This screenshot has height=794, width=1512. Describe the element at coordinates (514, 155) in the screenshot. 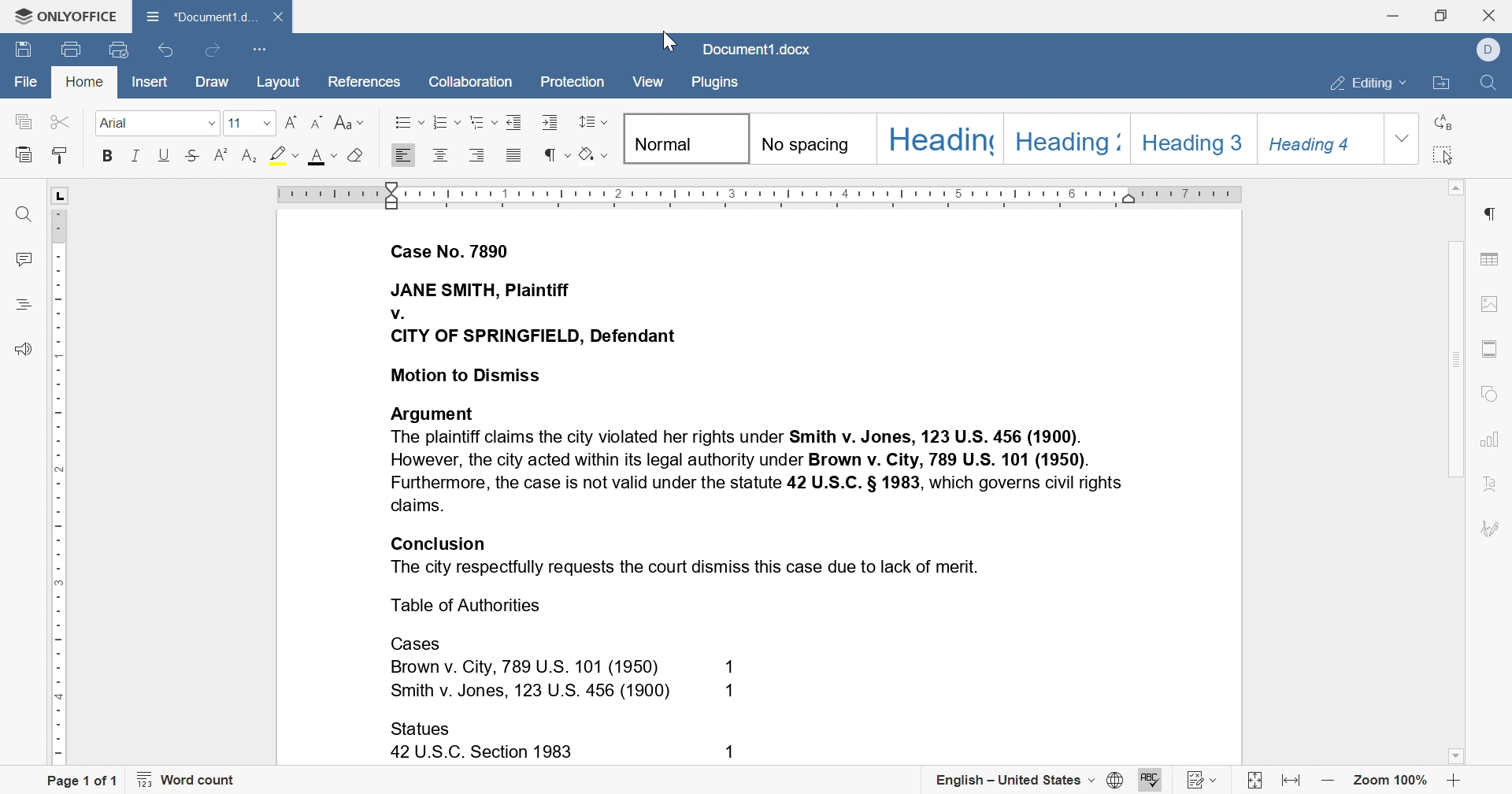

I see `justified` at that location.